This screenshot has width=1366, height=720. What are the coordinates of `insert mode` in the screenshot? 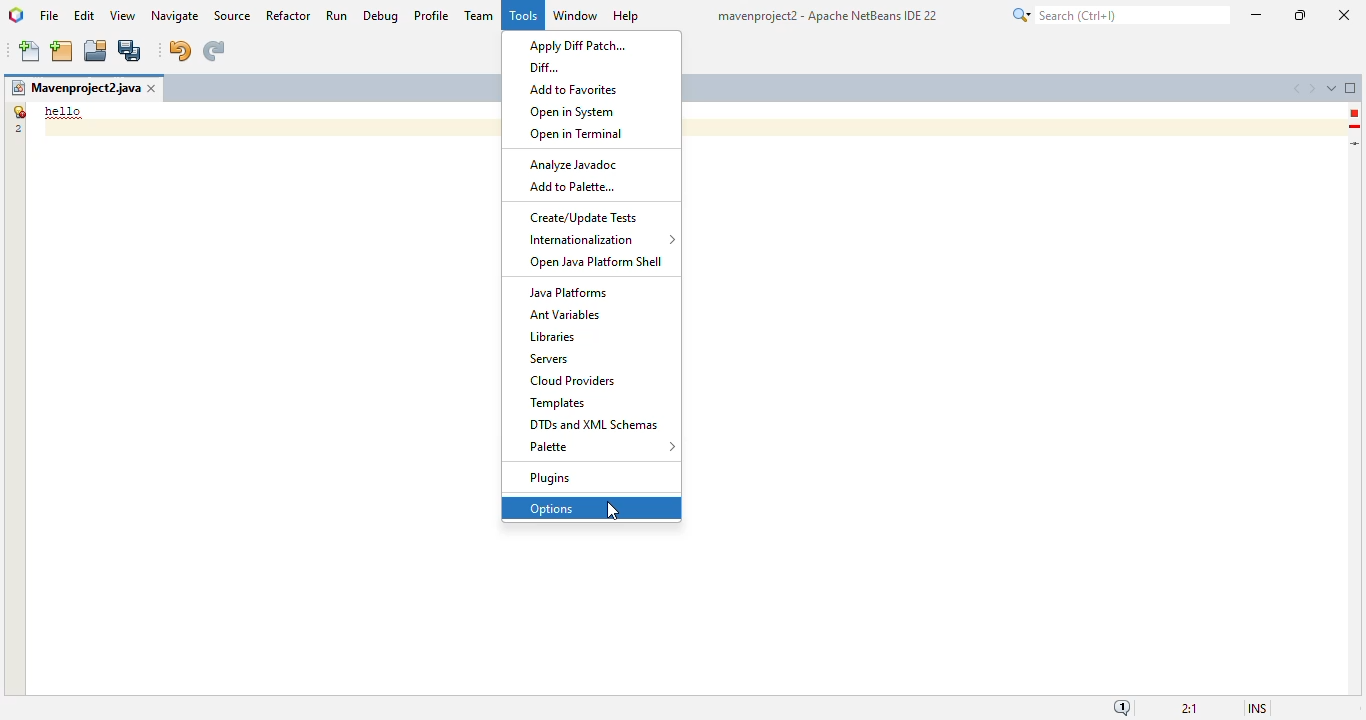 It's located at (1257, 709).